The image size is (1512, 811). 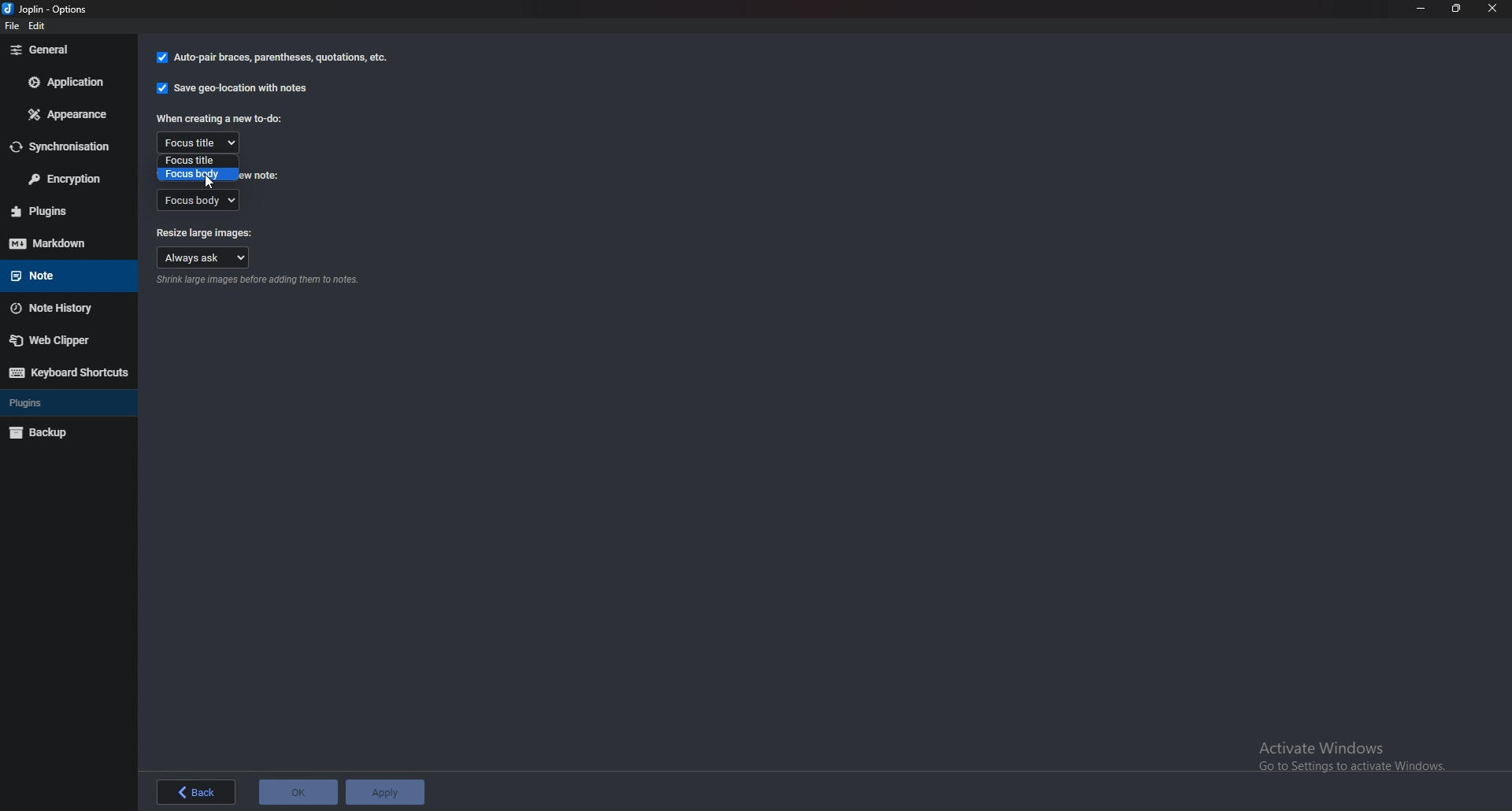 I want to click on Resize large images, so click(x=205, y=231).